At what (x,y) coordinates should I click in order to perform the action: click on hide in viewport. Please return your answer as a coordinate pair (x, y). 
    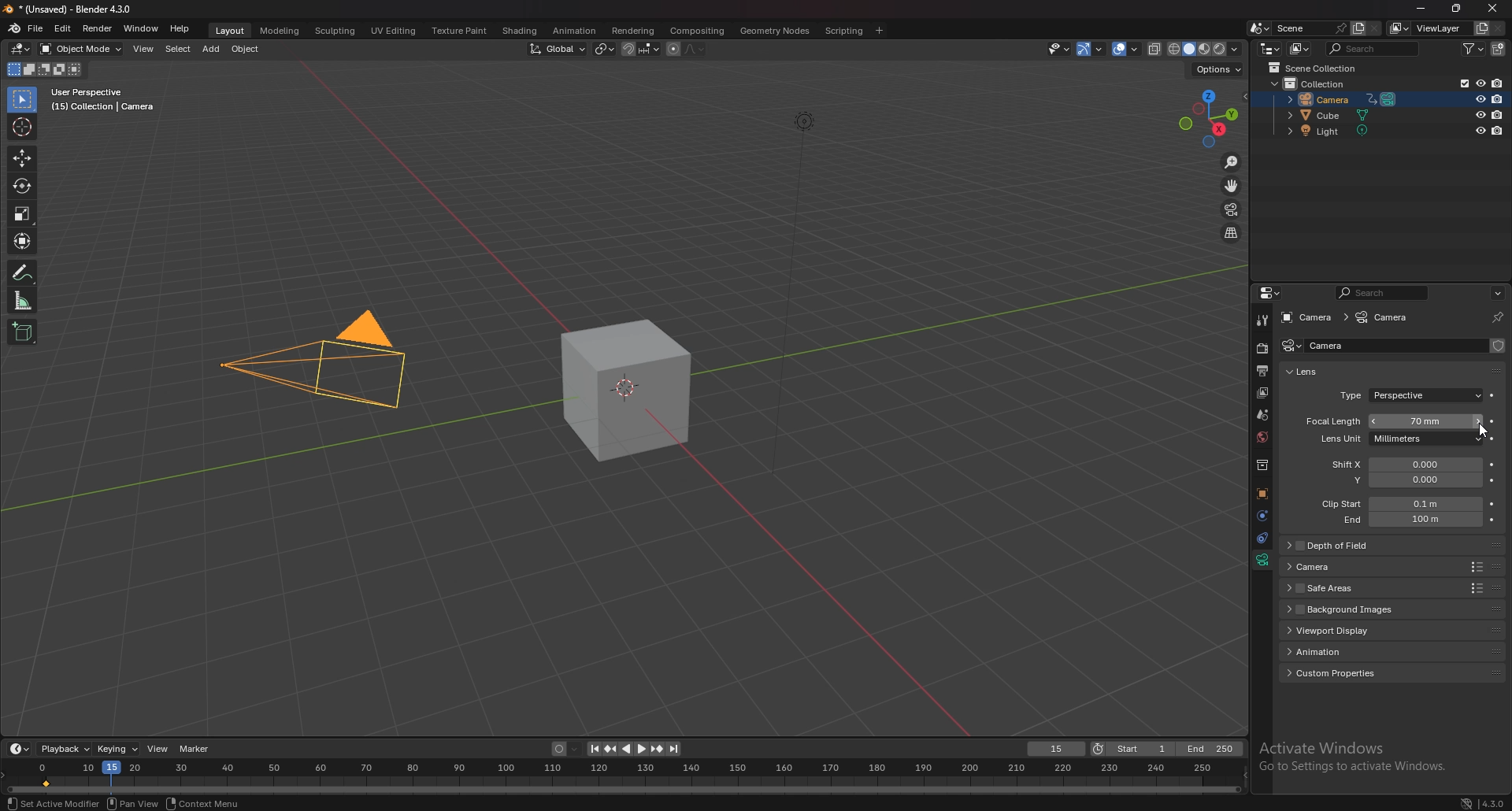
    Looking at the image, I should click on (1480, 114).